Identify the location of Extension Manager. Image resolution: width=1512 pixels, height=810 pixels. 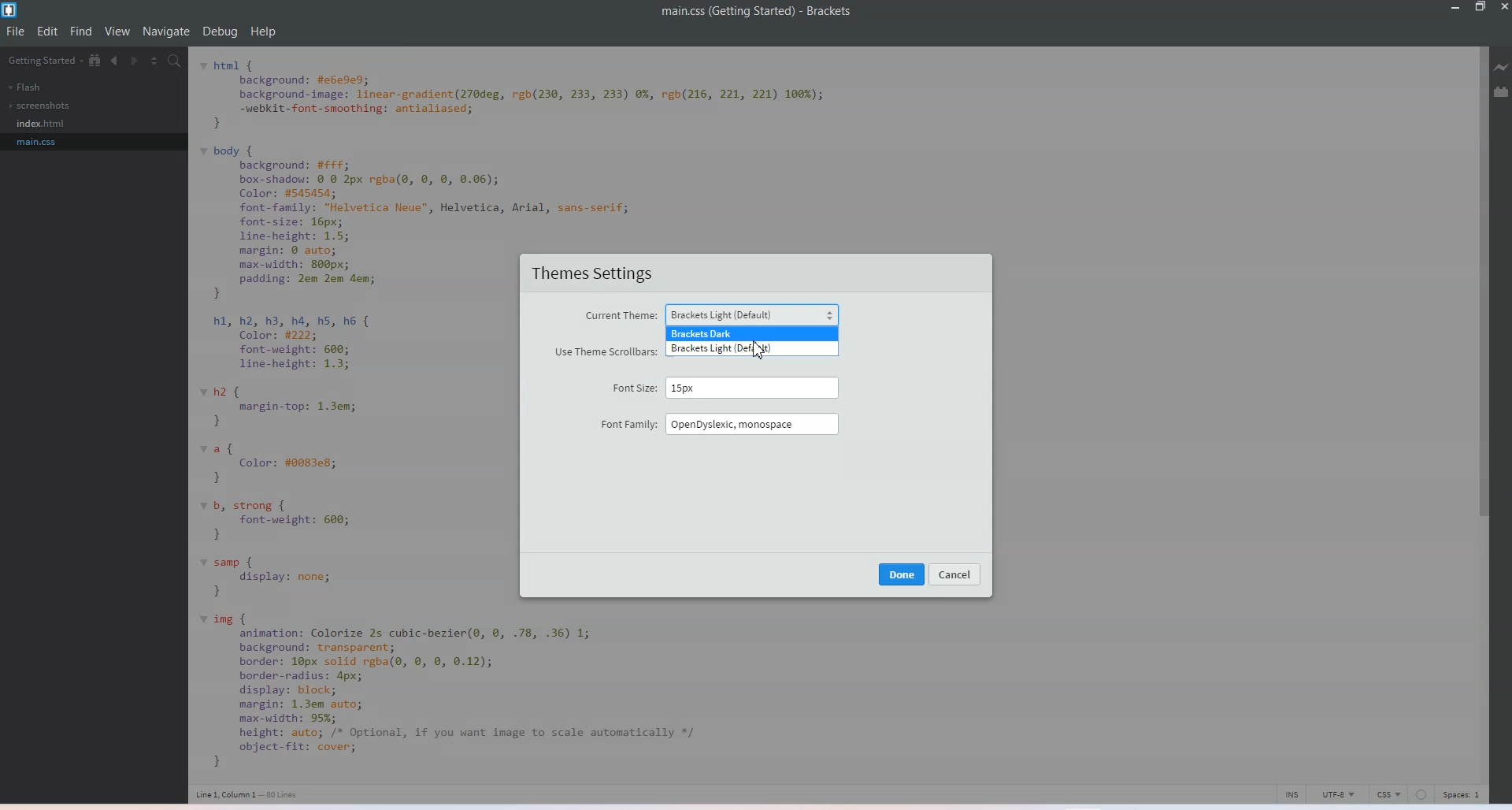
(1502, 91).